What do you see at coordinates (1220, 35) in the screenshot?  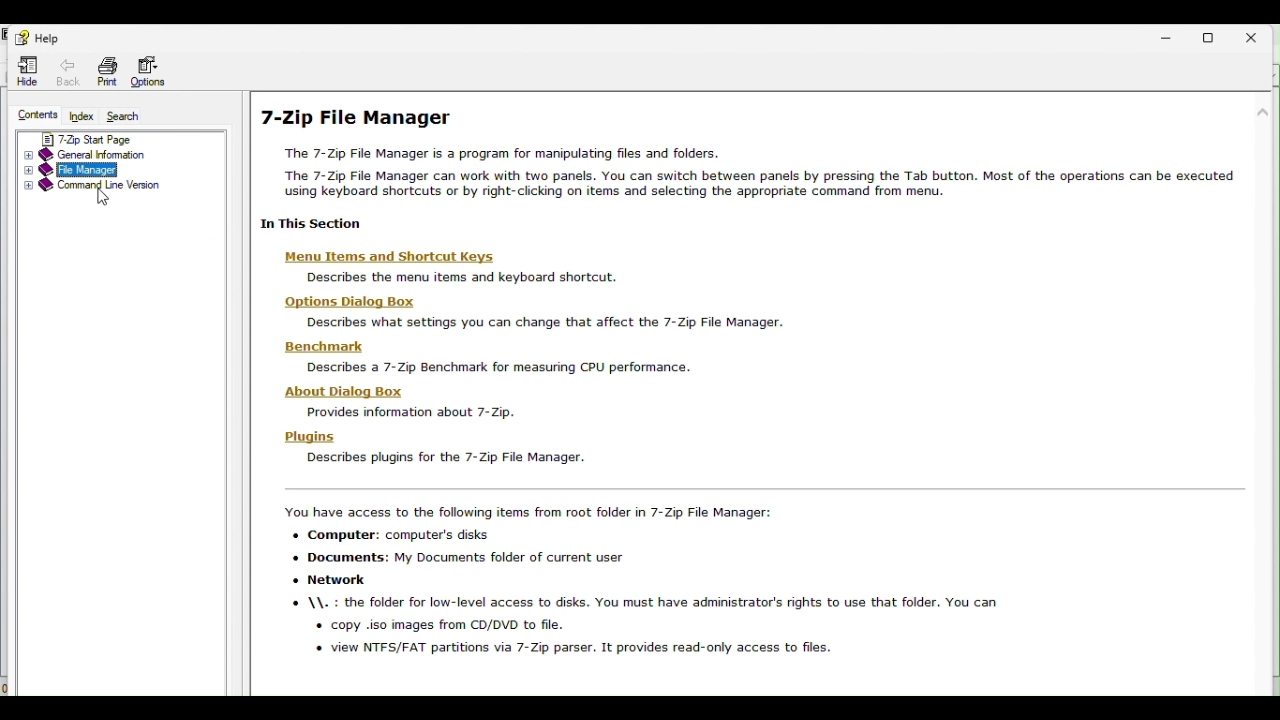 I see `restore ` at bounding box center [1220, 35].